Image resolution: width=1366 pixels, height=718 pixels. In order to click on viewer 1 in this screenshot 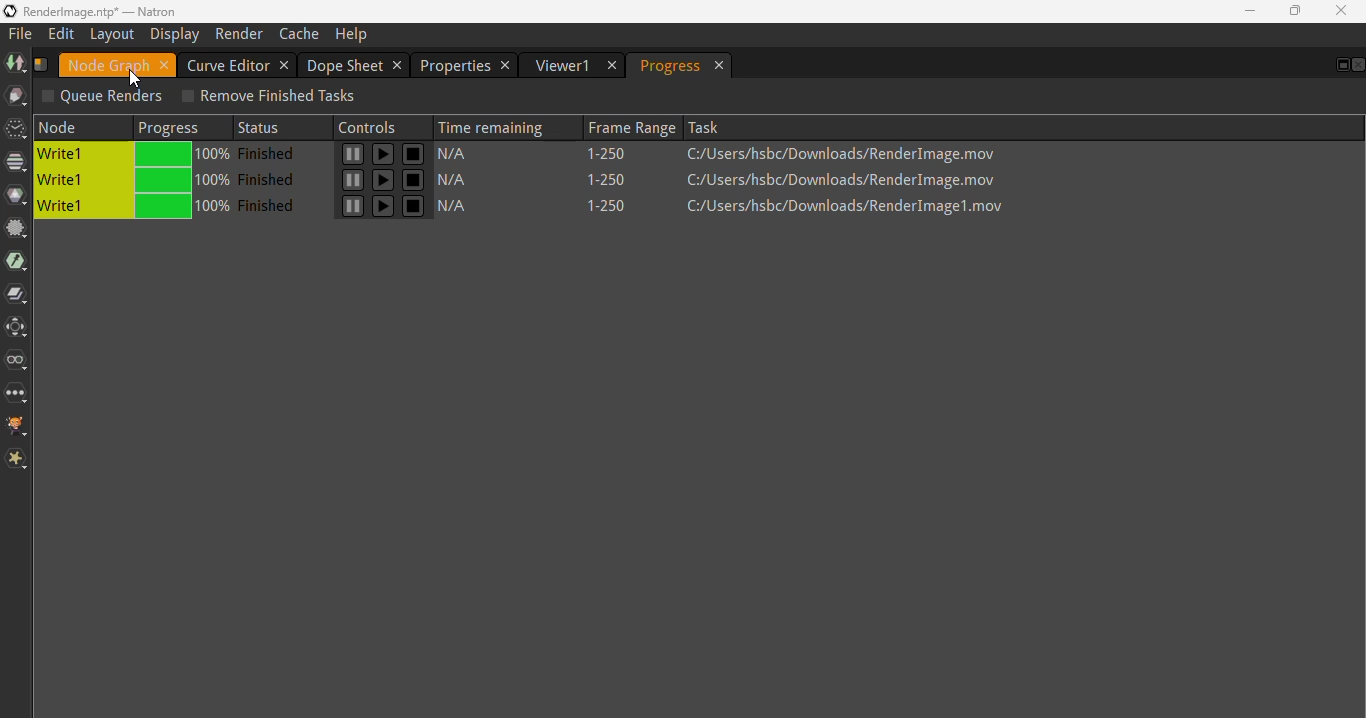, I will do `click(563, 65)`.